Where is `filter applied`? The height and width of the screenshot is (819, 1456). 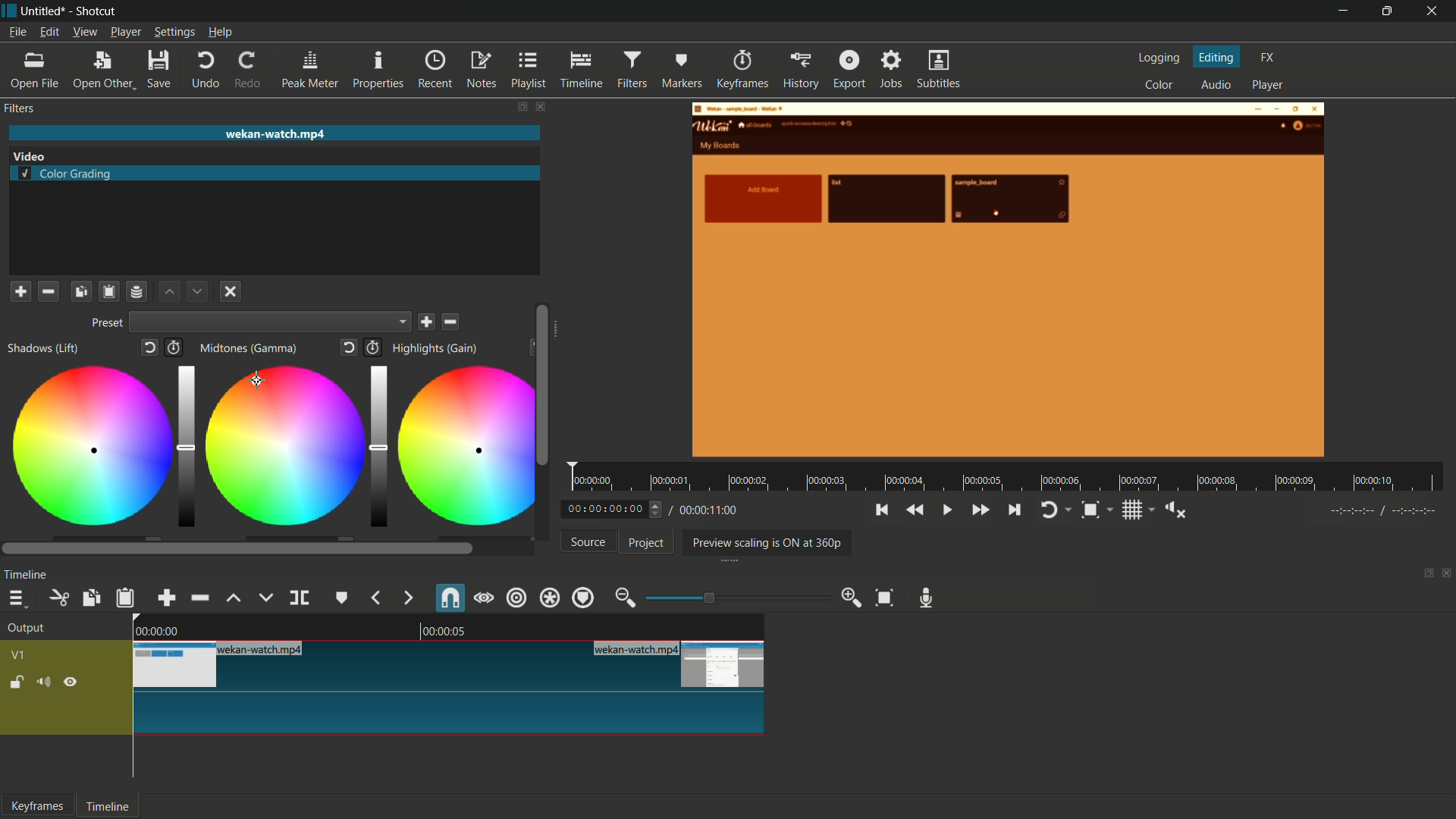 filter applied is located at coordinates (1009, 282).